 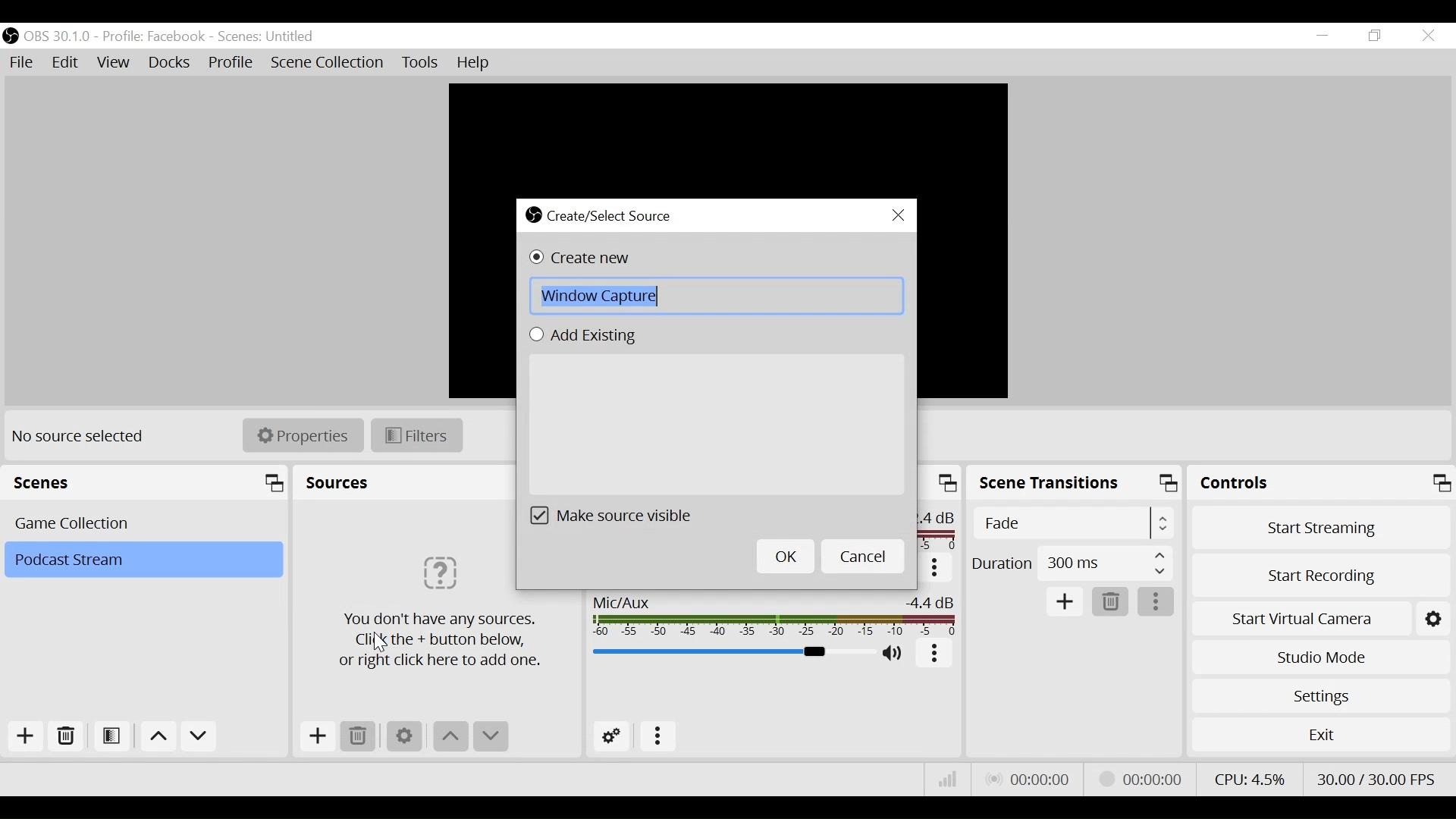 What do you see at coordinates (1075, 522) in the screenshot?
I see `Select Scene Transitions` at bounding box center [1075, 522].